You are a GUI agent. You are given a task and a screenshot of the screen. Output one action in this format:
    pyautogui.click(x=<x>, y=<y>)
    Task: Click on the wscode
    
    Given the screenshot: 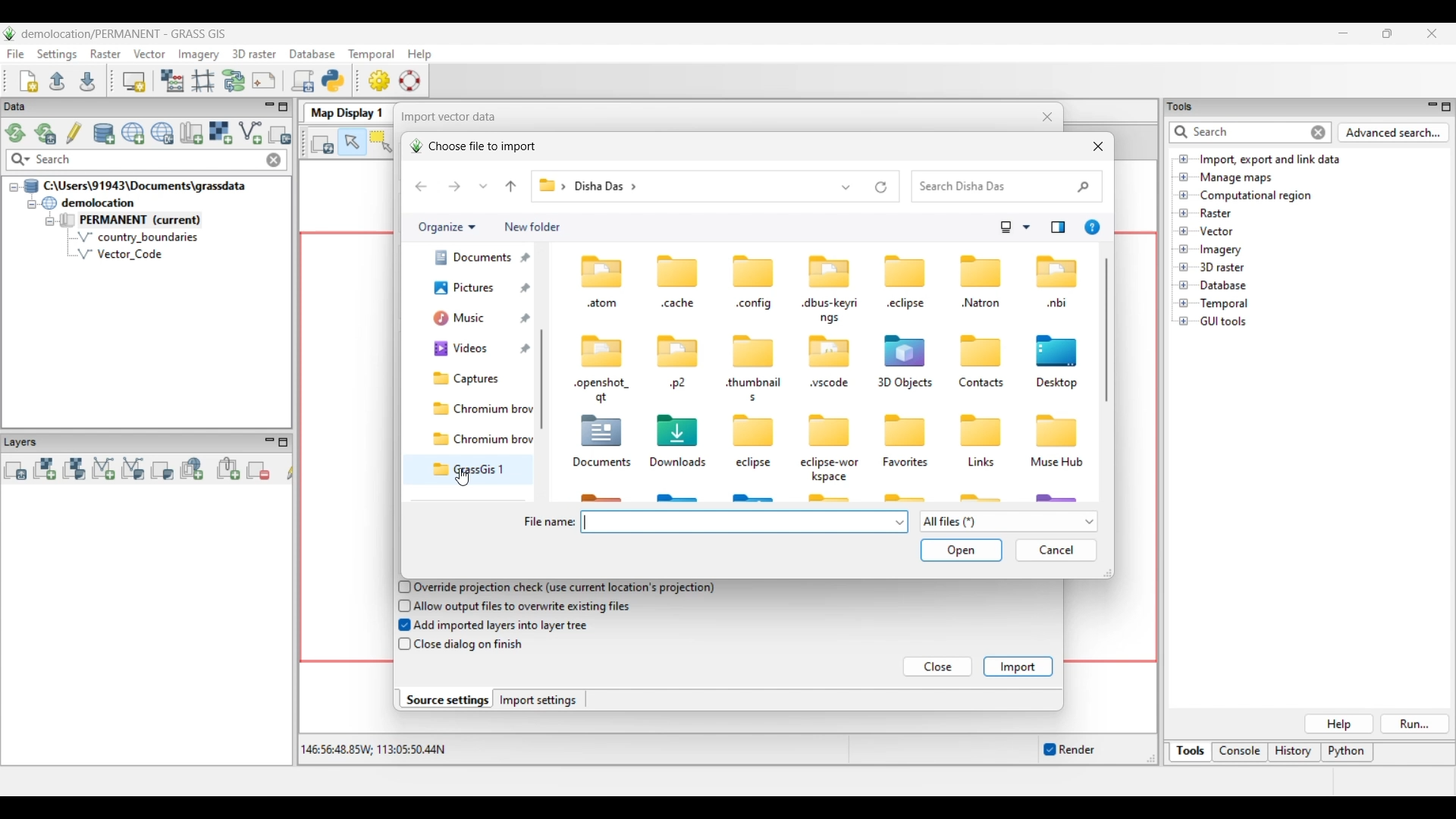 What is the action you would take?
    pyautogui.click(x=830, y=384)
    